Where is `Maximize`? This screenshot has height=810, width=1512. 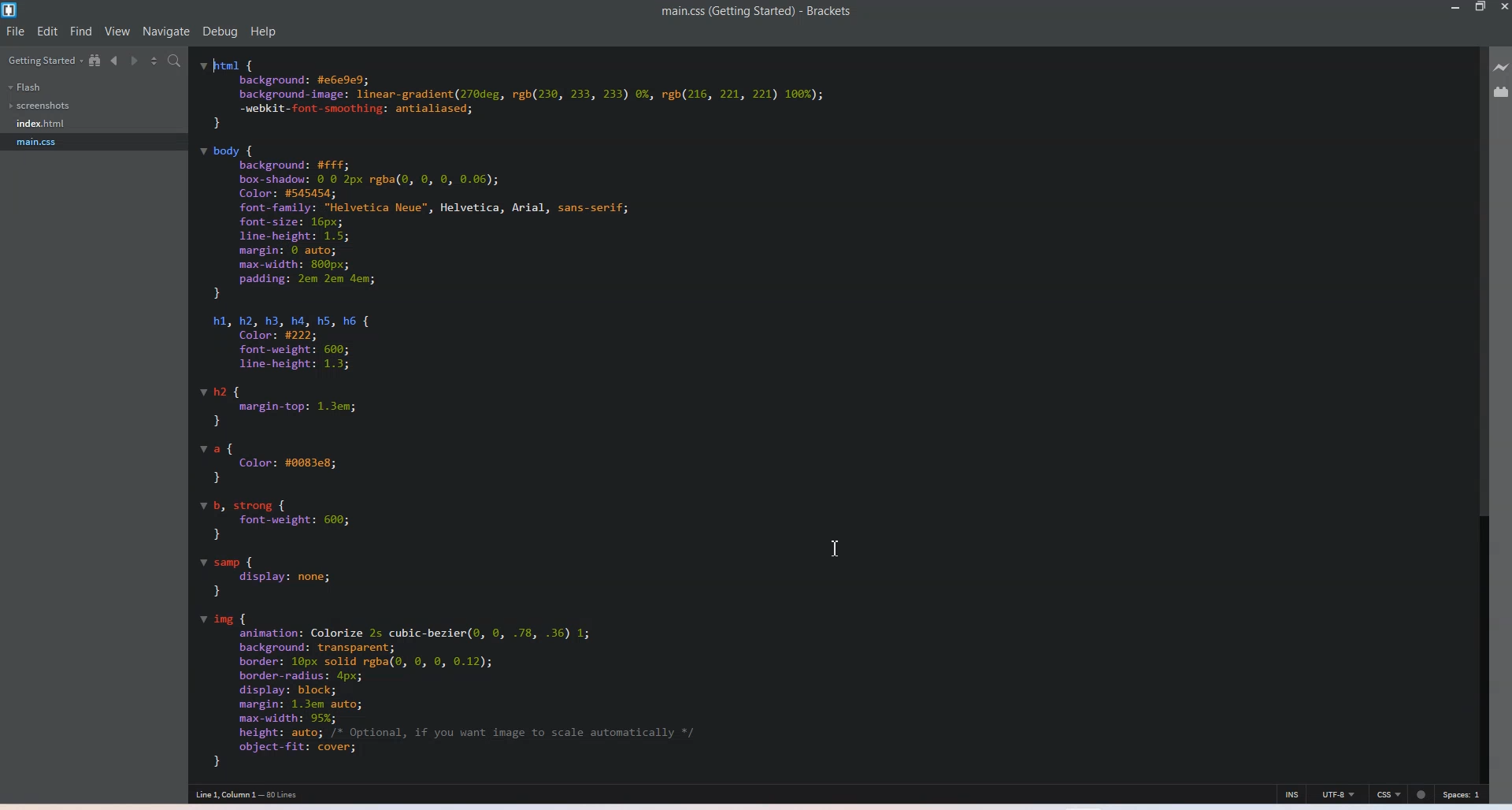 Maximize is located at coordinates (1481, 8).